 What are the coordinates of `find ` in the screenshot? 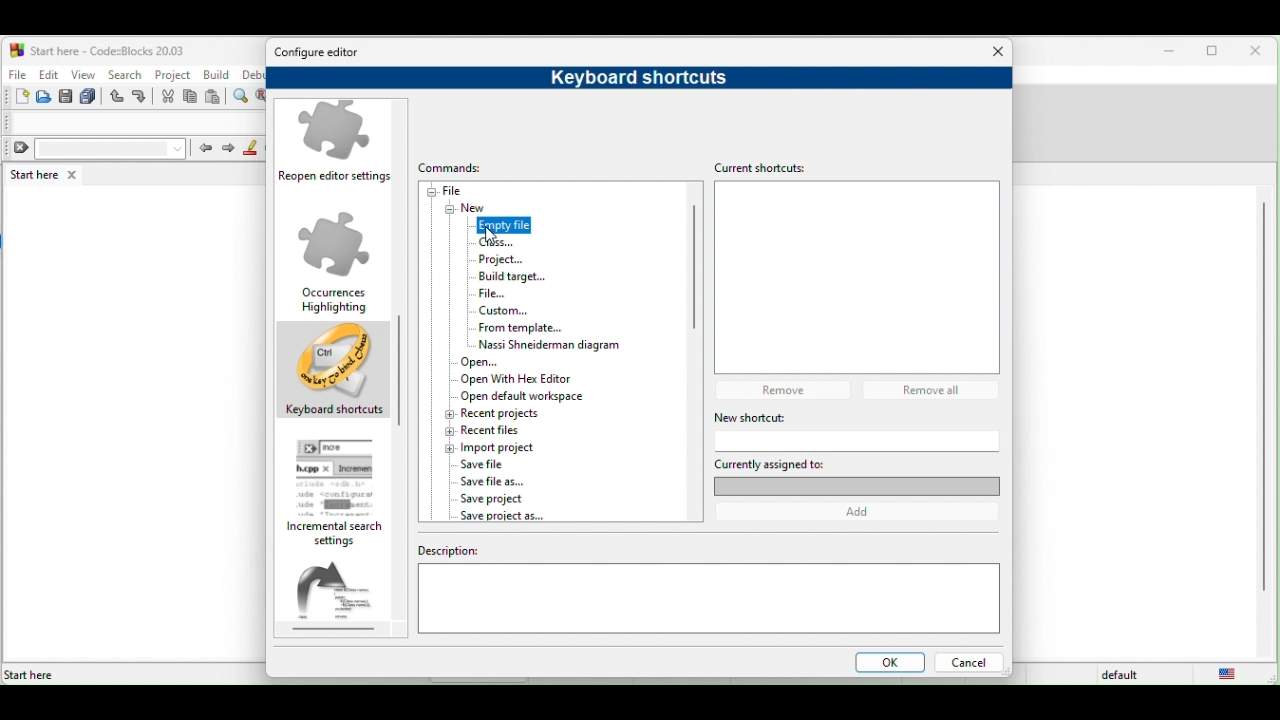 It's located at (243, 97).